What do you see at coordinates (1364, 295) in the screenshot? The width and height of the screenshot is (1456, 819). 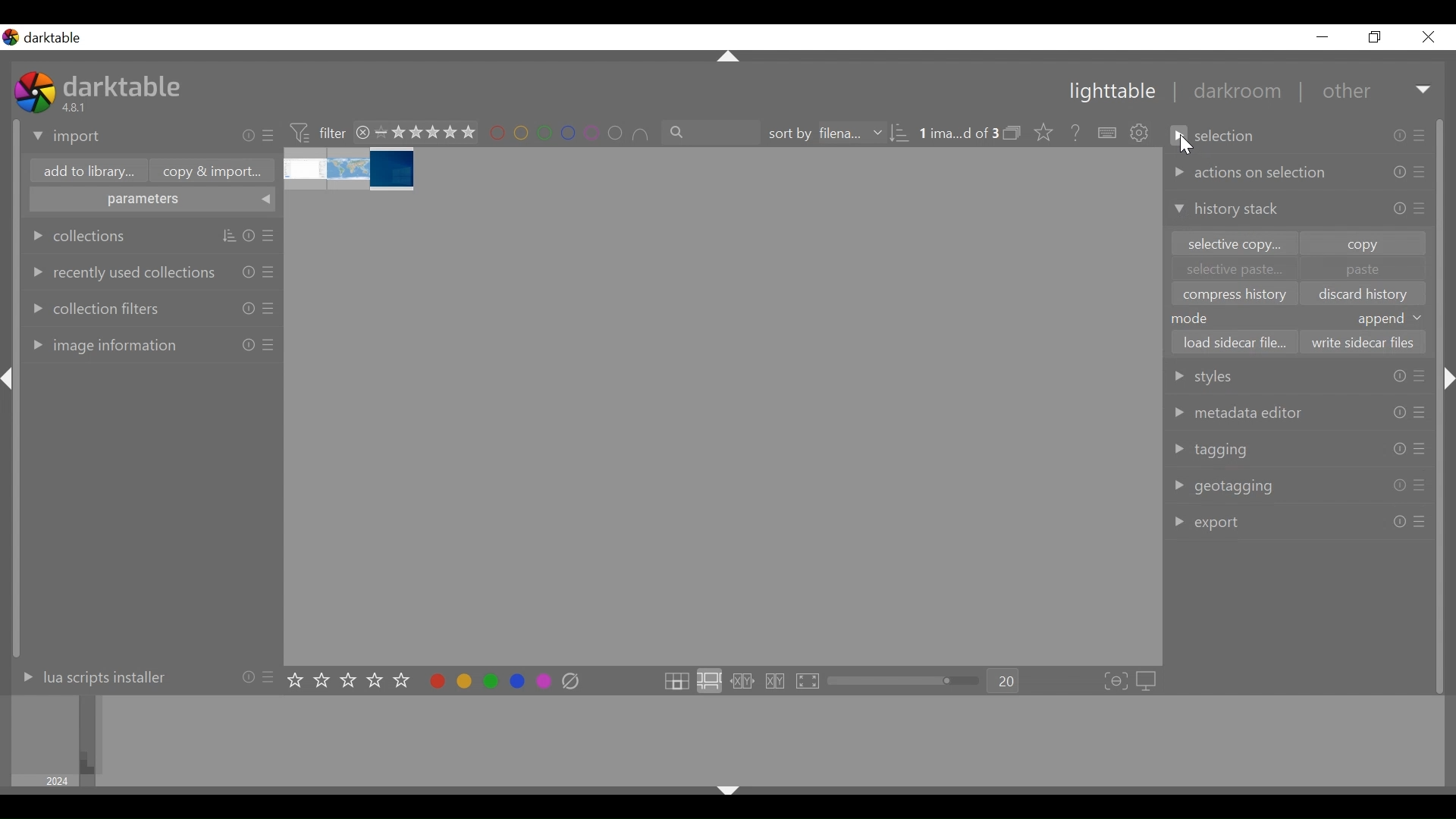 I see `discard history` at bounding box center [1364, 295].